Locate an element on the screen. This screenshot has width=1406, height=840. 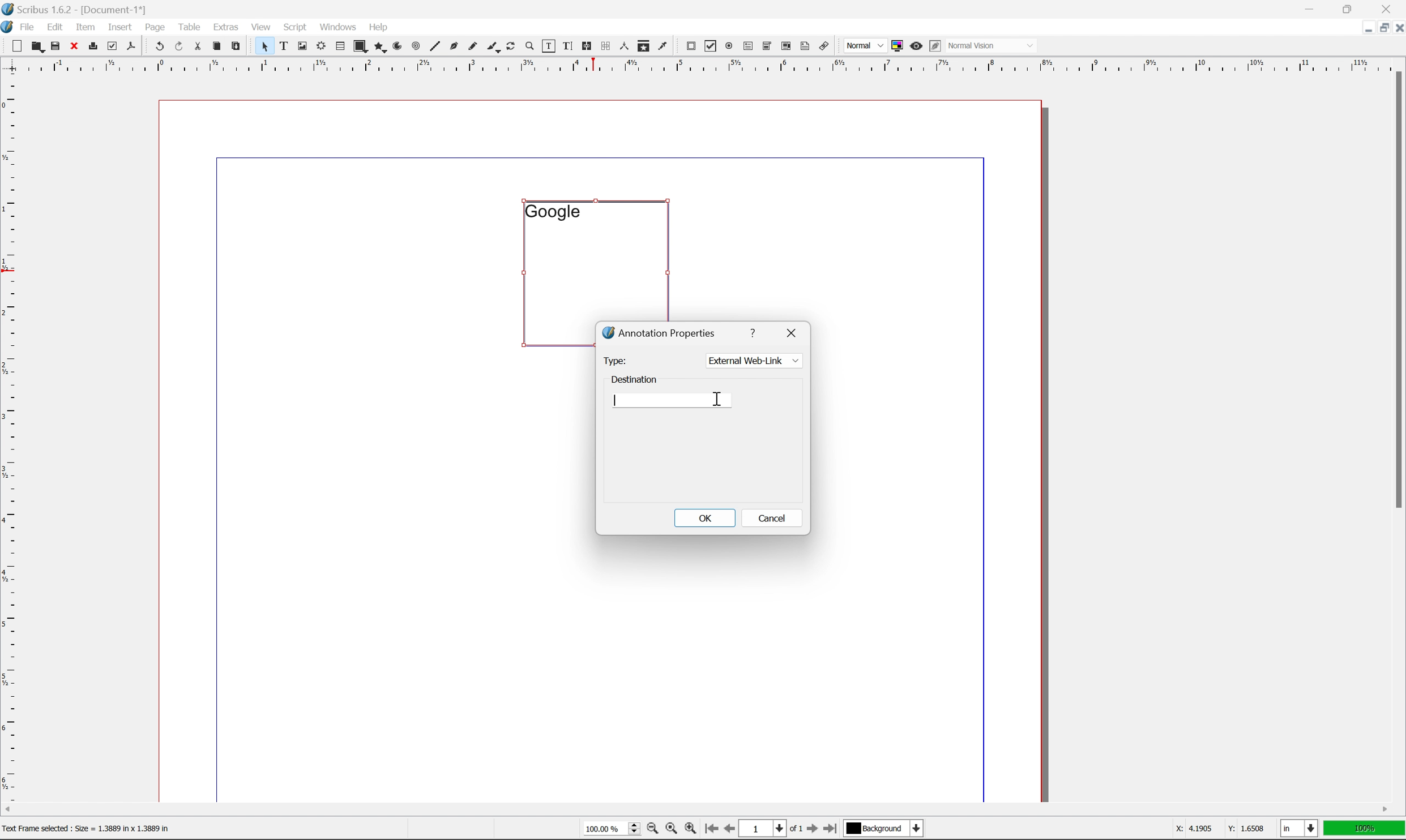
edit text with story editor is located at coordinates (565, 45).